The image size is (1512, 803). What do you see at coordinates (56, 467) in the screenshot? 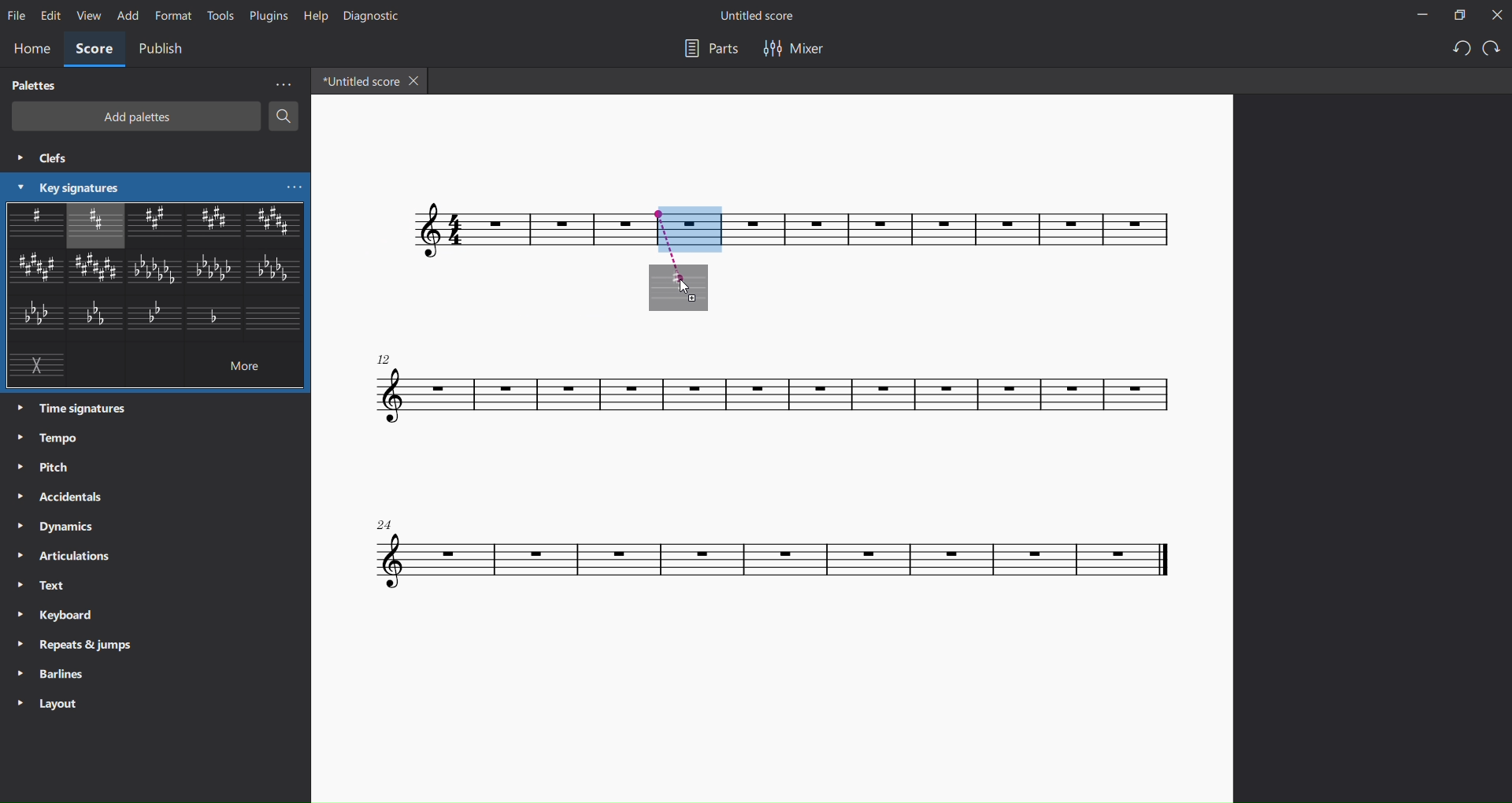
I see `pitch` at bounding box center [56, 467].